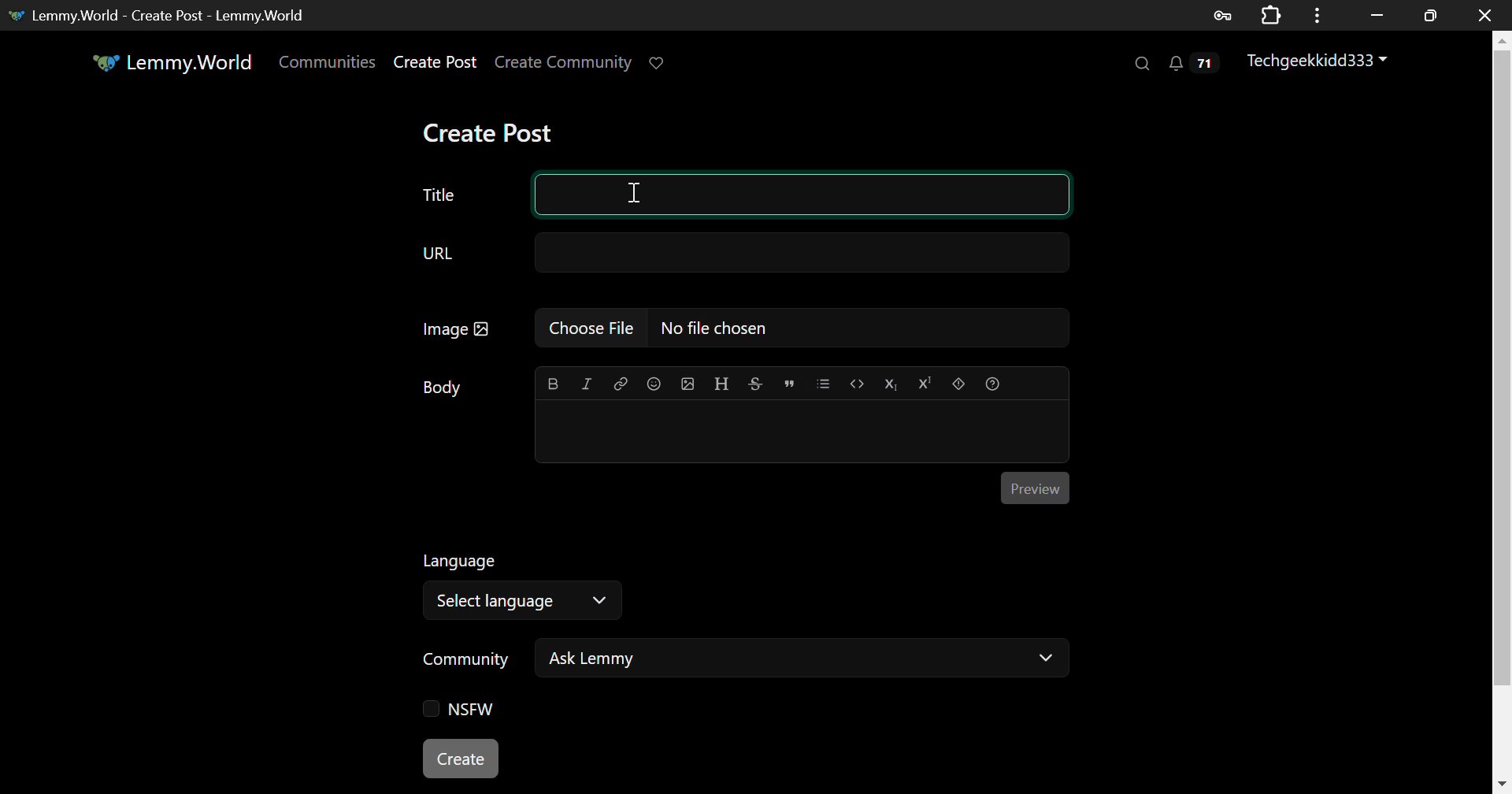  I want to click on Notifications, so click(1197, 64).